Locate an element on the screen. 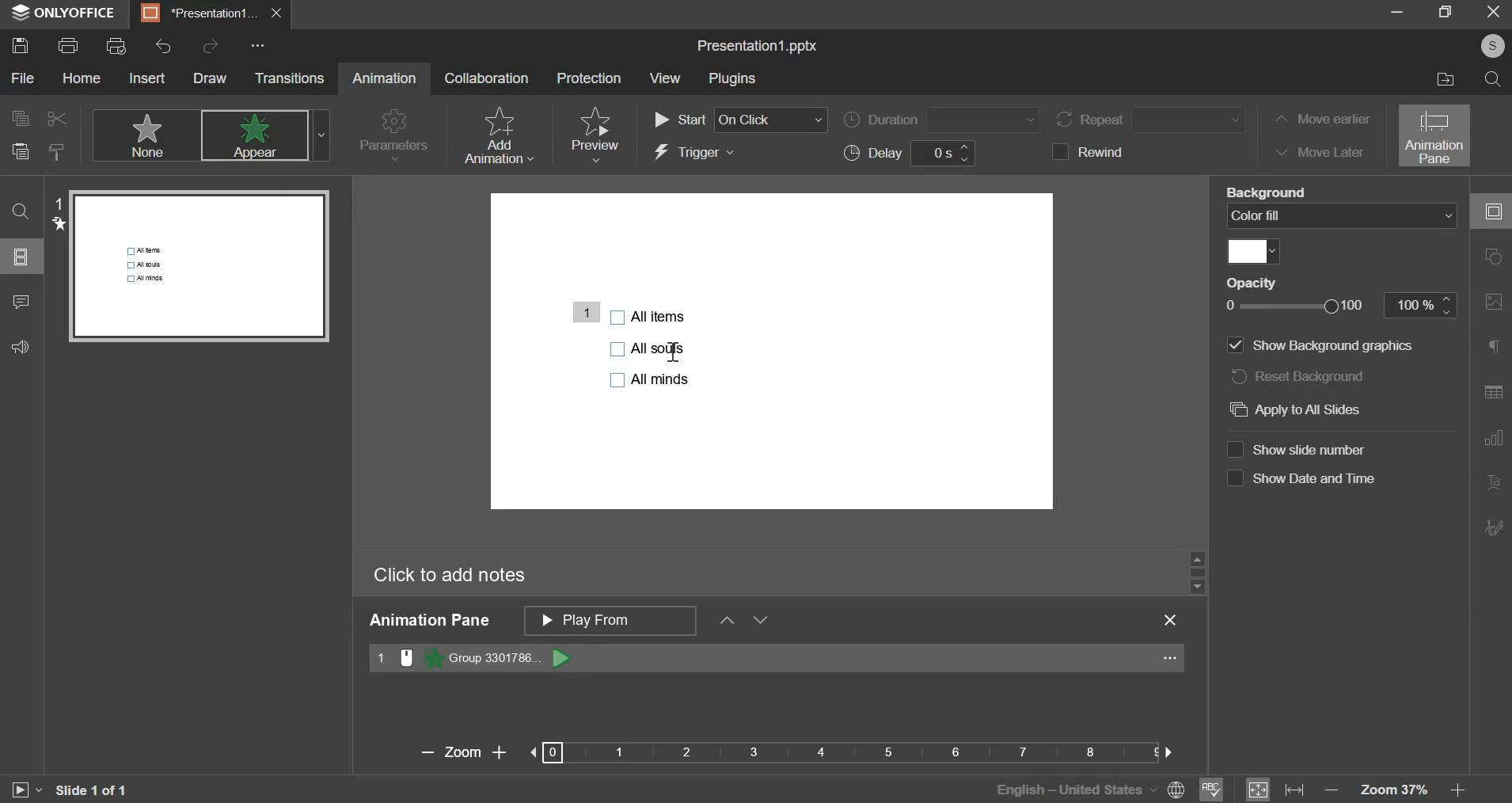 This screenshot has height=803, width=1512. undo is located at coordinates (163, 47).